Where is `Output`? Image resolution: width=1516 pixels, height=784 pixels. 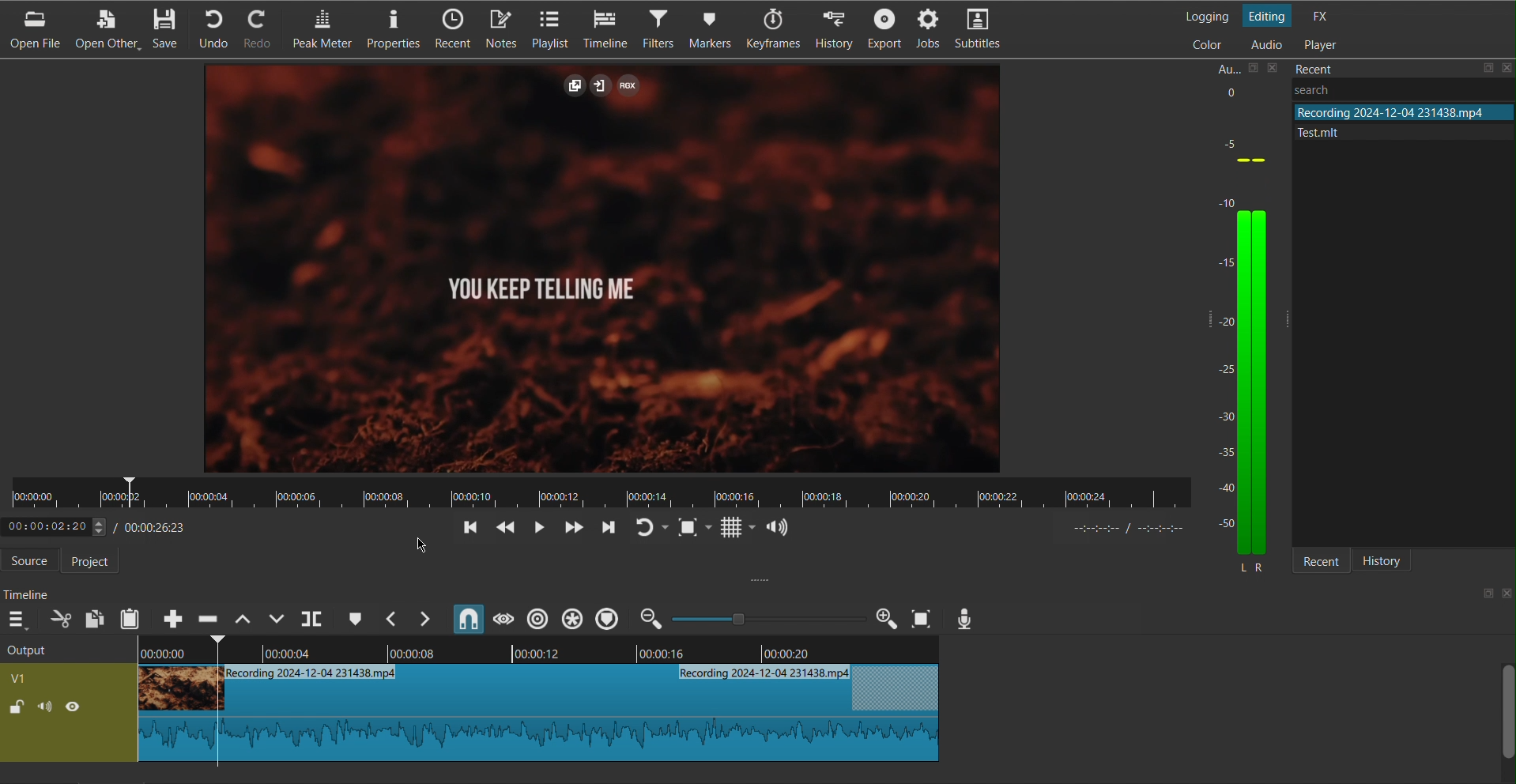 Output is located at coordinates (44, 650).